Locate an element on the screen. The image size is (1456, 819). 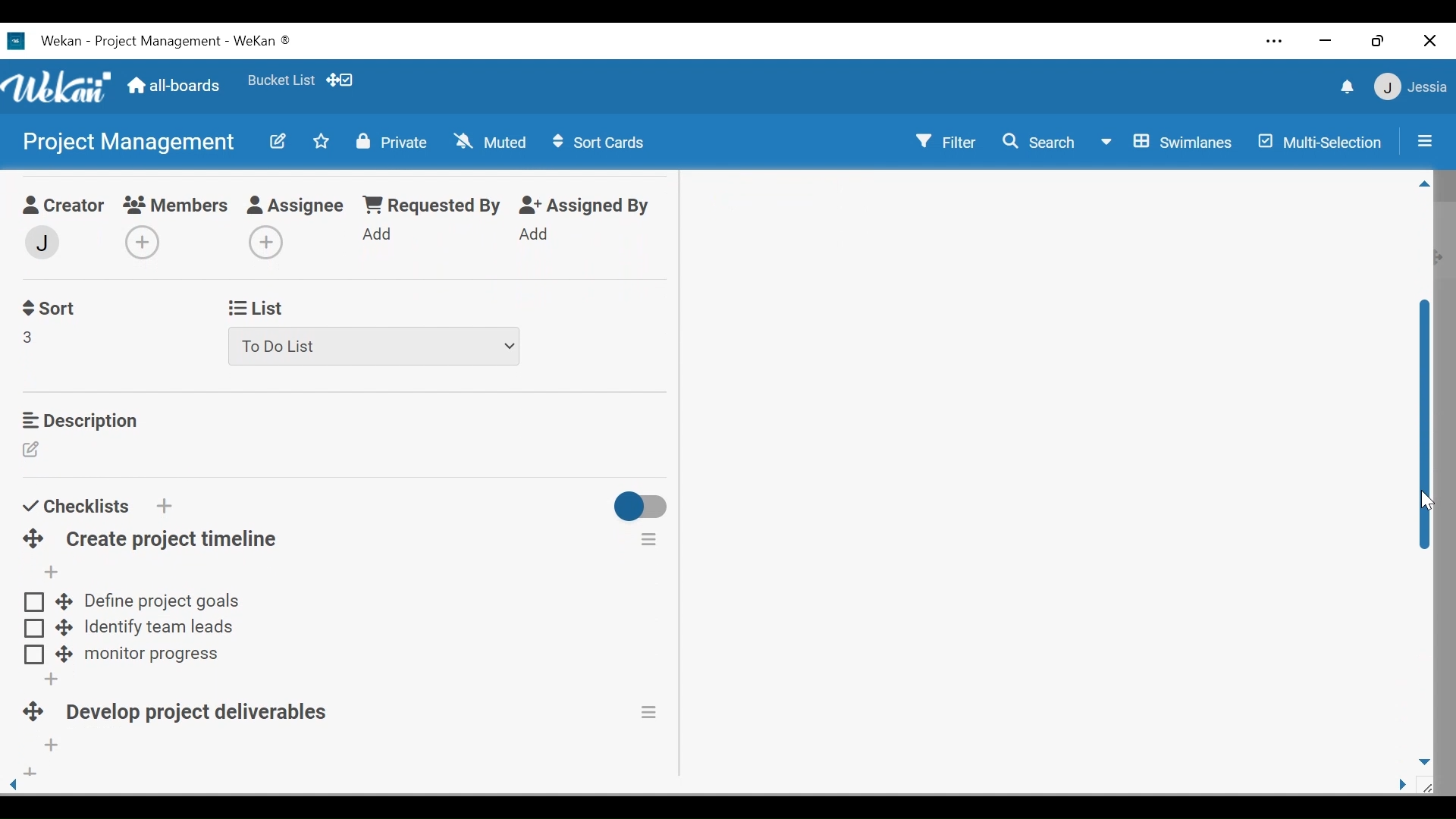
Add members is located at coordinates (147, 244).